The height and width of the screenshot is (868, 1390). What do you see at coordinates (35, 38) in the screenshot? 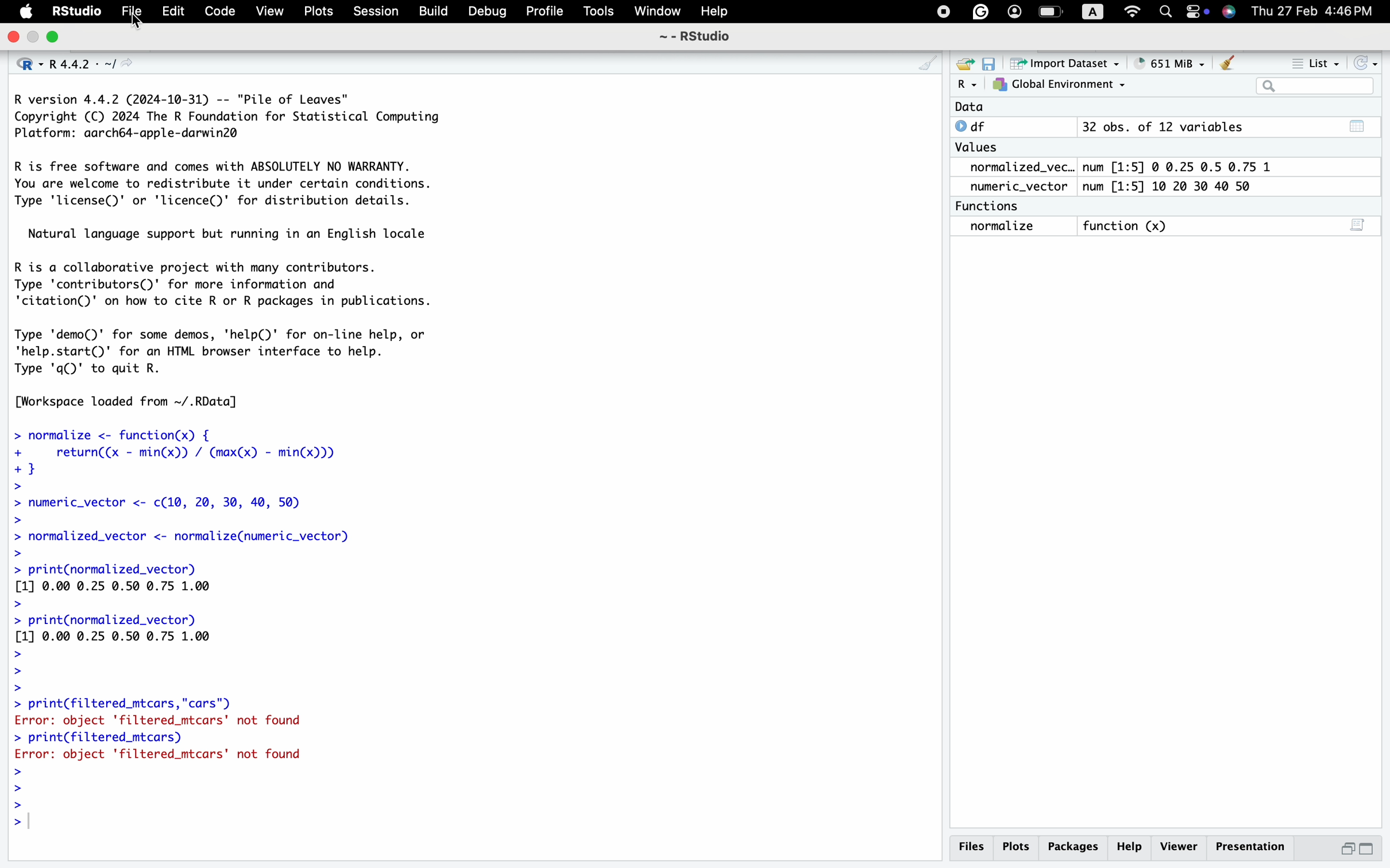
I see `minimize` at bounding box center [35, 38].